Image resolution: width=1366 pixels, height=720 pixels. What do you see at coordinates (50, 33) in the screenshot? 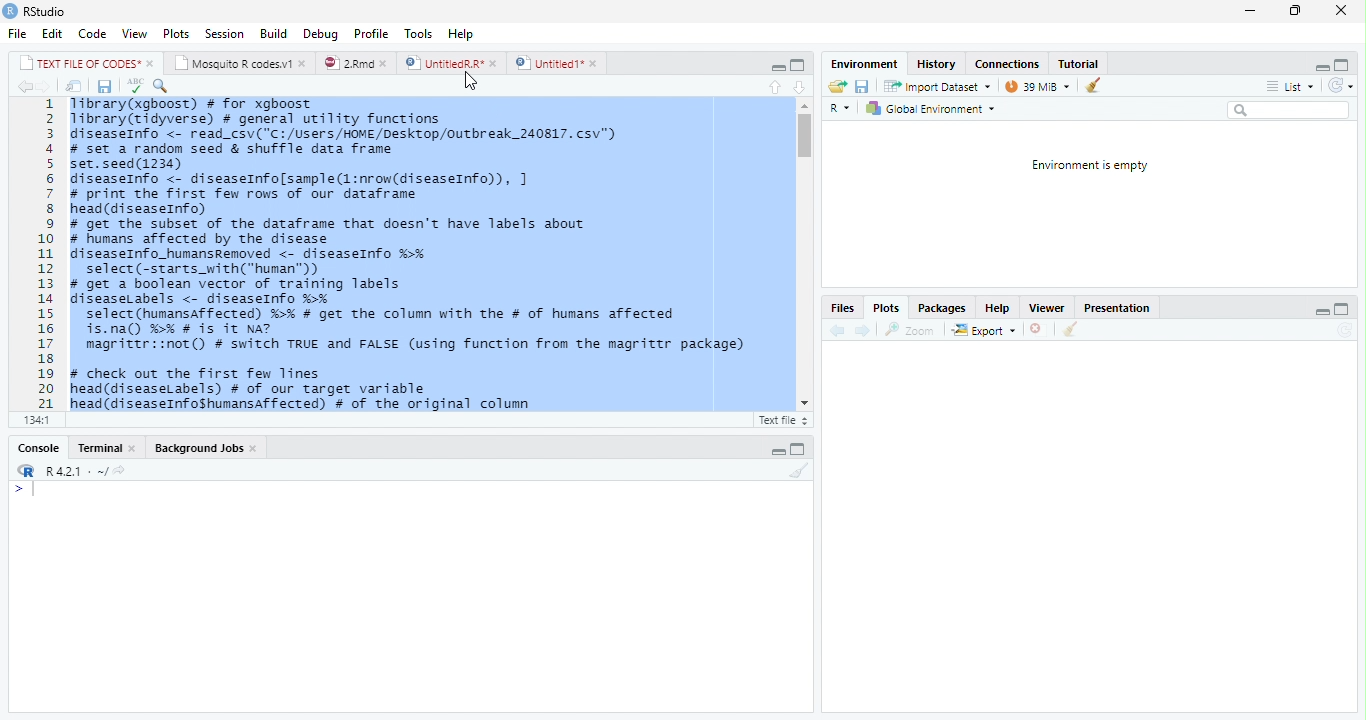
I see `Edit` at bounding box center [50, 33].